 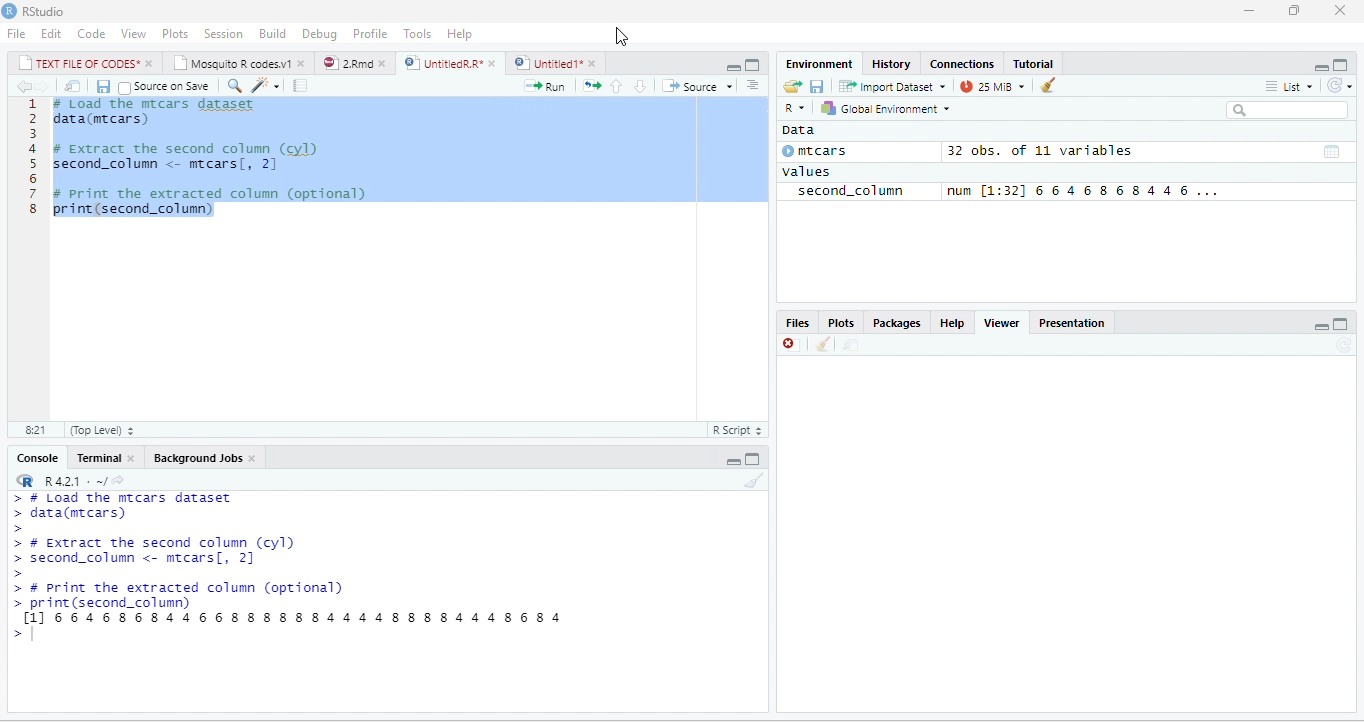 I want to click on Code, so click(x=90, y=32).